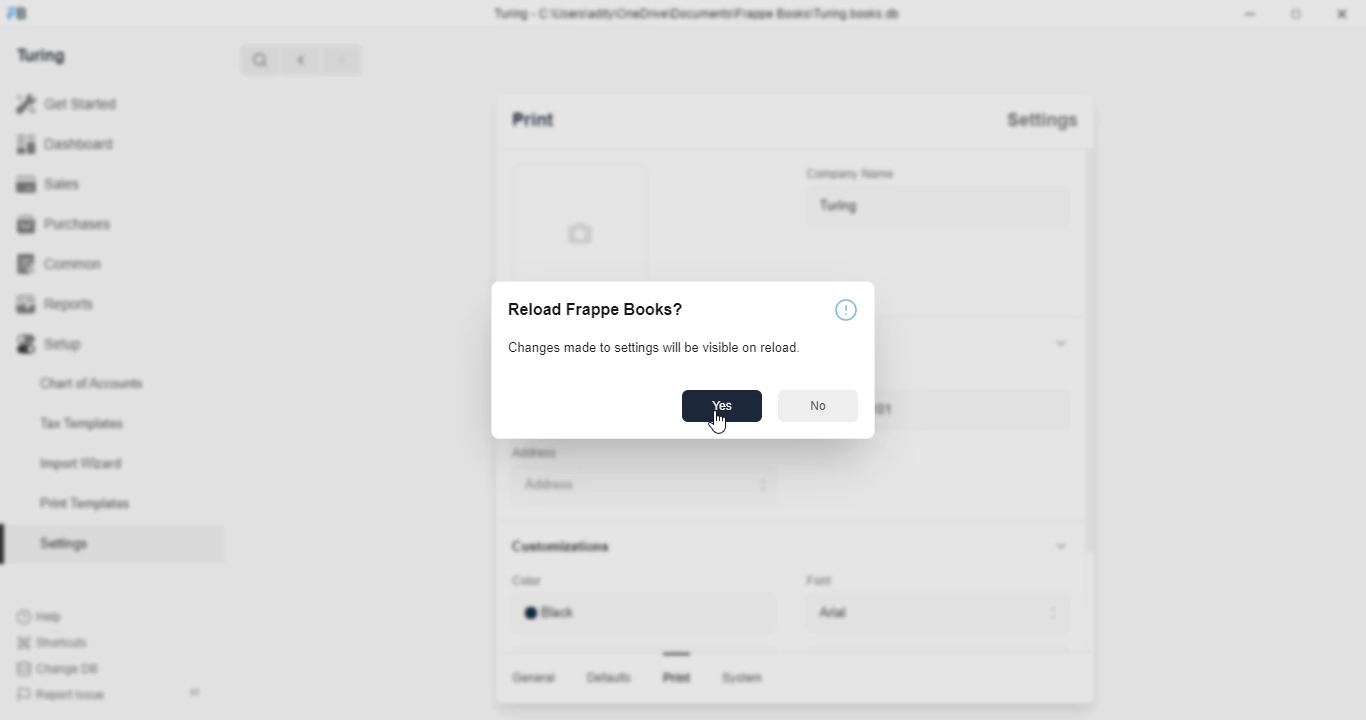 The width and height of the screenshot is (1366, 720). What do you see at coordinates (108, 304) in the screenshot?
I see `Reports.` at bounding box center [108, 304].